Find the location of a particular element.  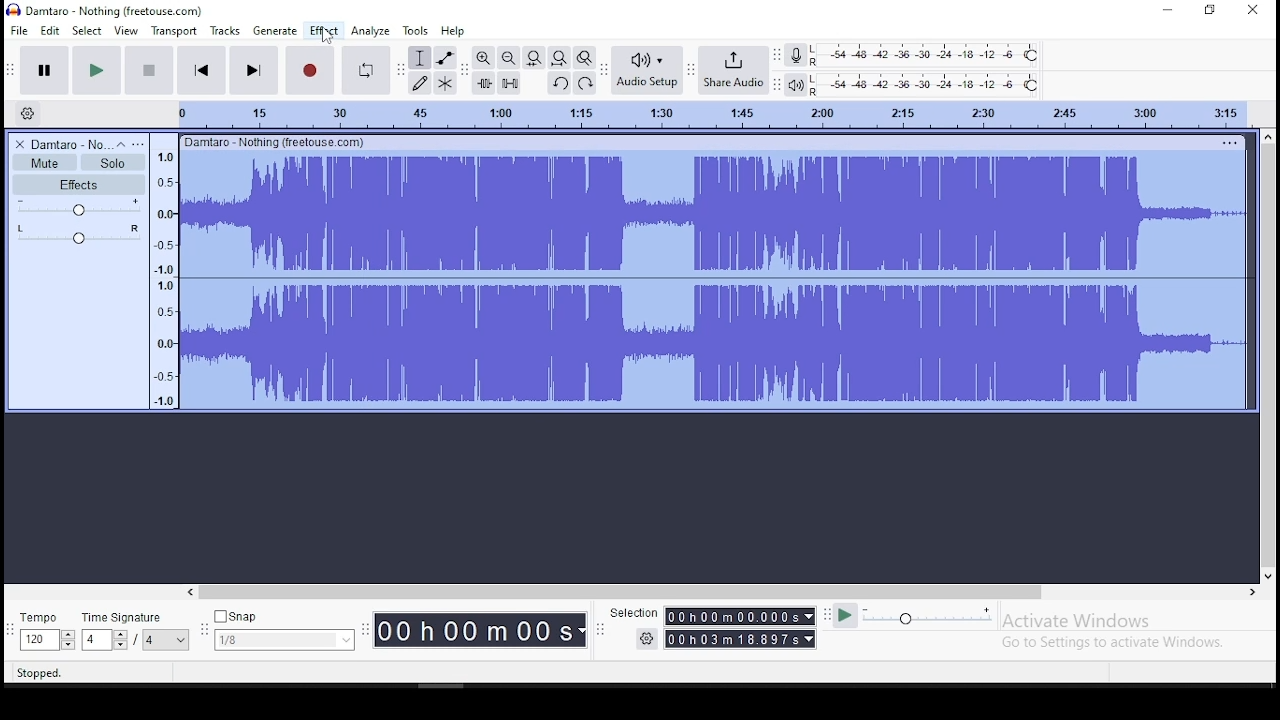

up is located at coordinates (1268, 136).